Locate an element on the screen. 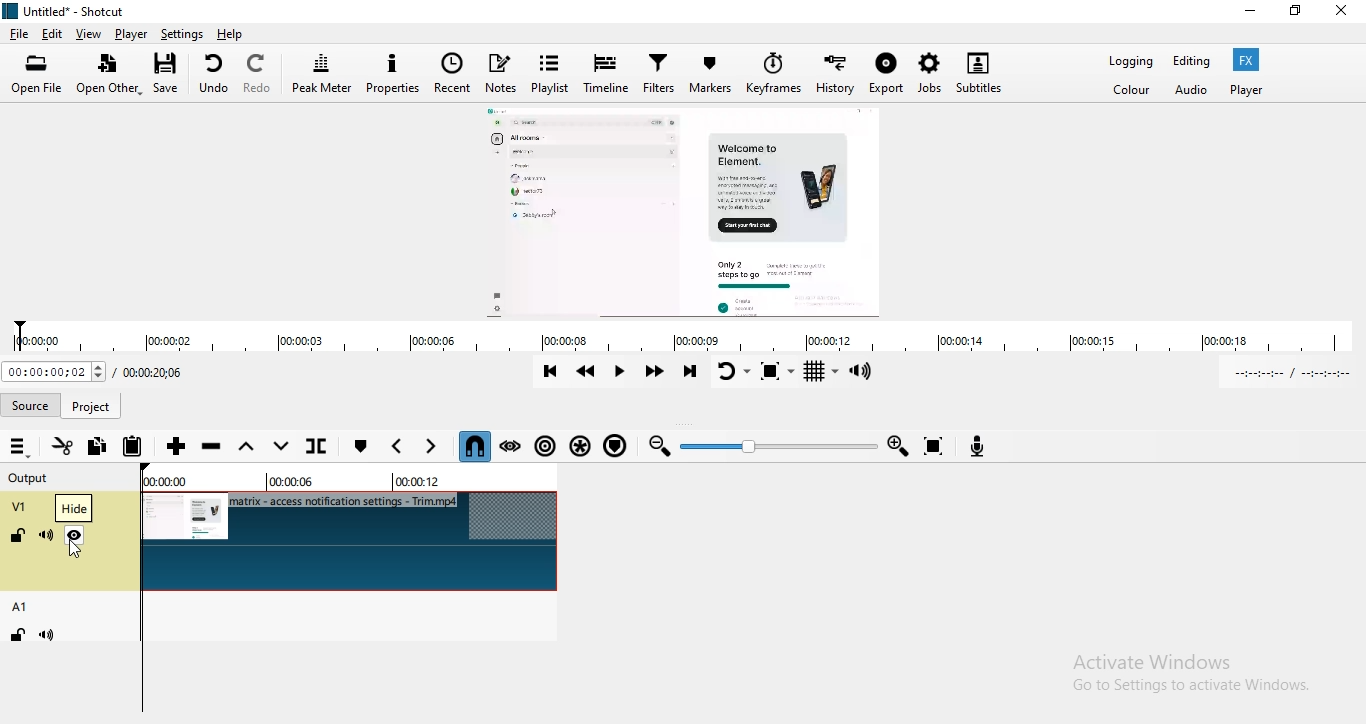 Image resolution: width=1366 pixels, height=724 pixels. help is located at coordinates (230, 34).